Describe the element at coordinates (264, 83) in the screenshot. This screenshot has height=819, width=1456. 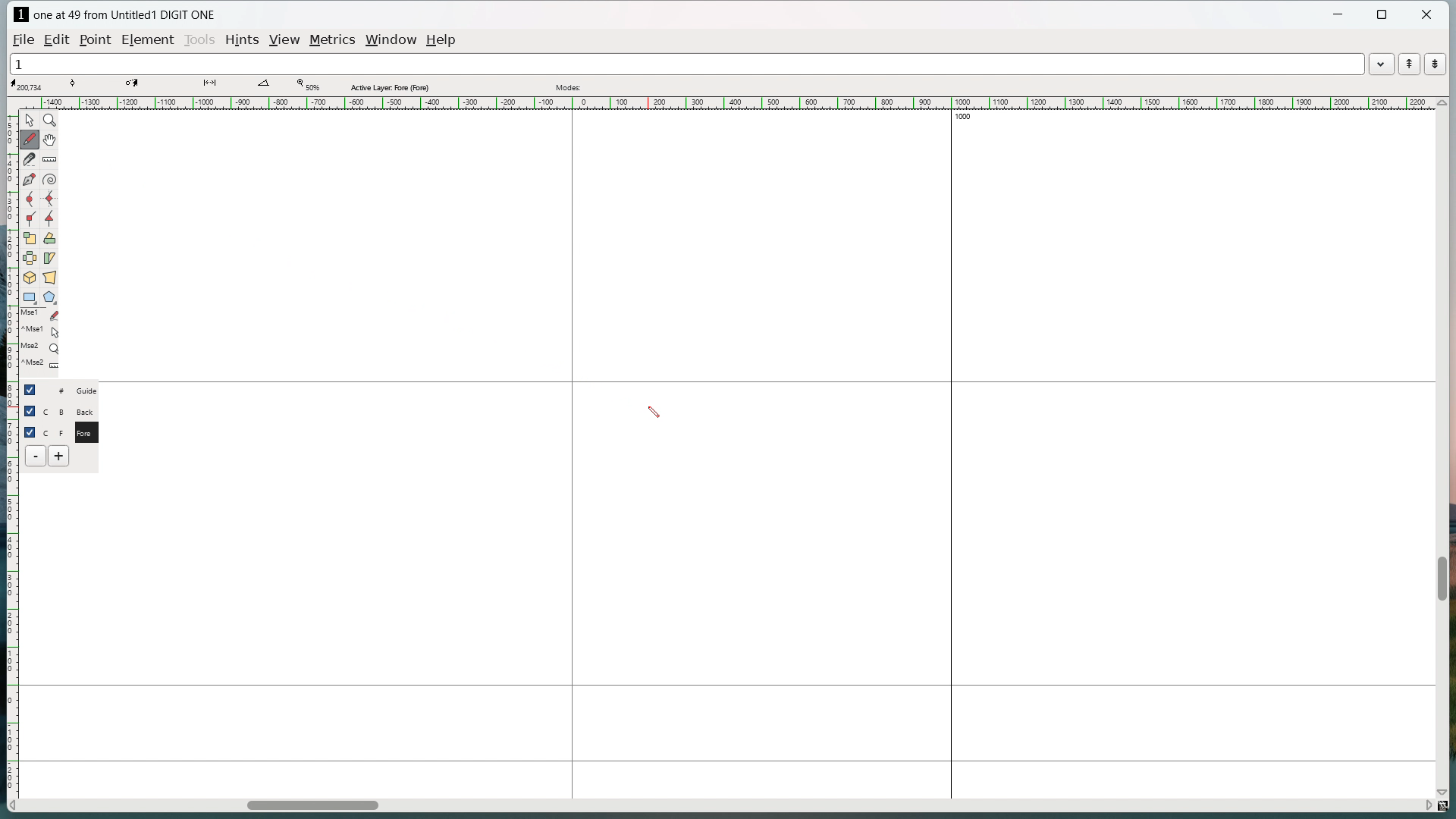
I see `angle between lines` at that location.